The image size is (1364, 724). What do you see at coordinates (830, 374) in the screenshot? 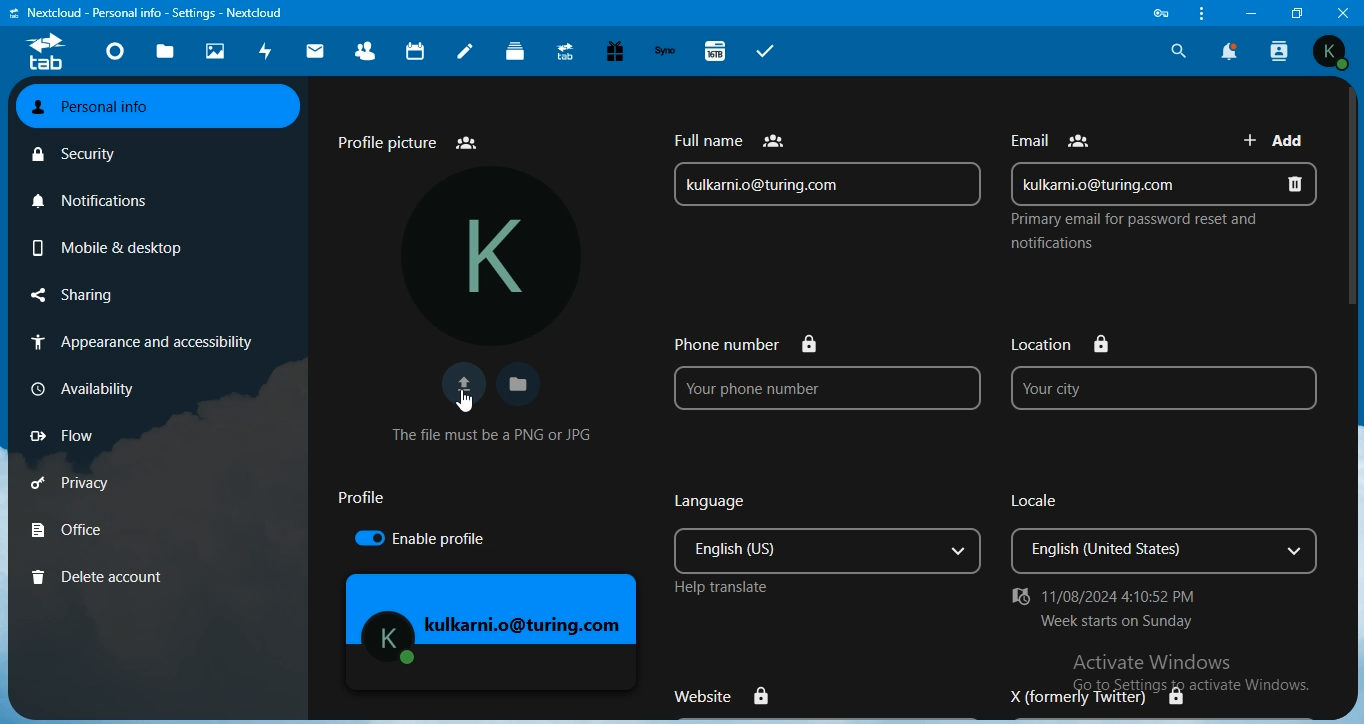
I see `phone no` at bounding box center [830, 374].